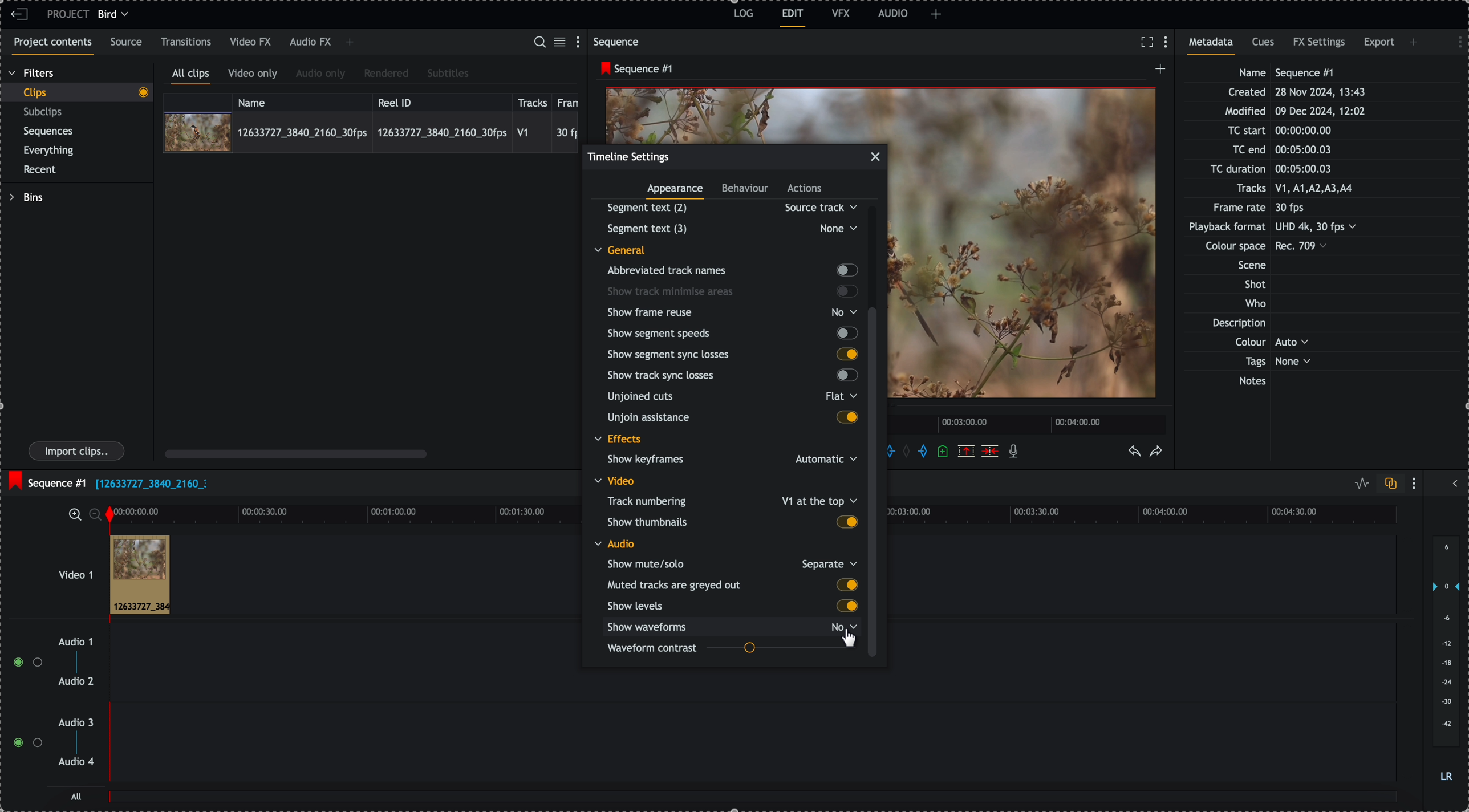 The image size is (1469, 812). What do you see at coordinates (33, 74) in the screenshot?
I see `filters` at bounding box center [33, 74].